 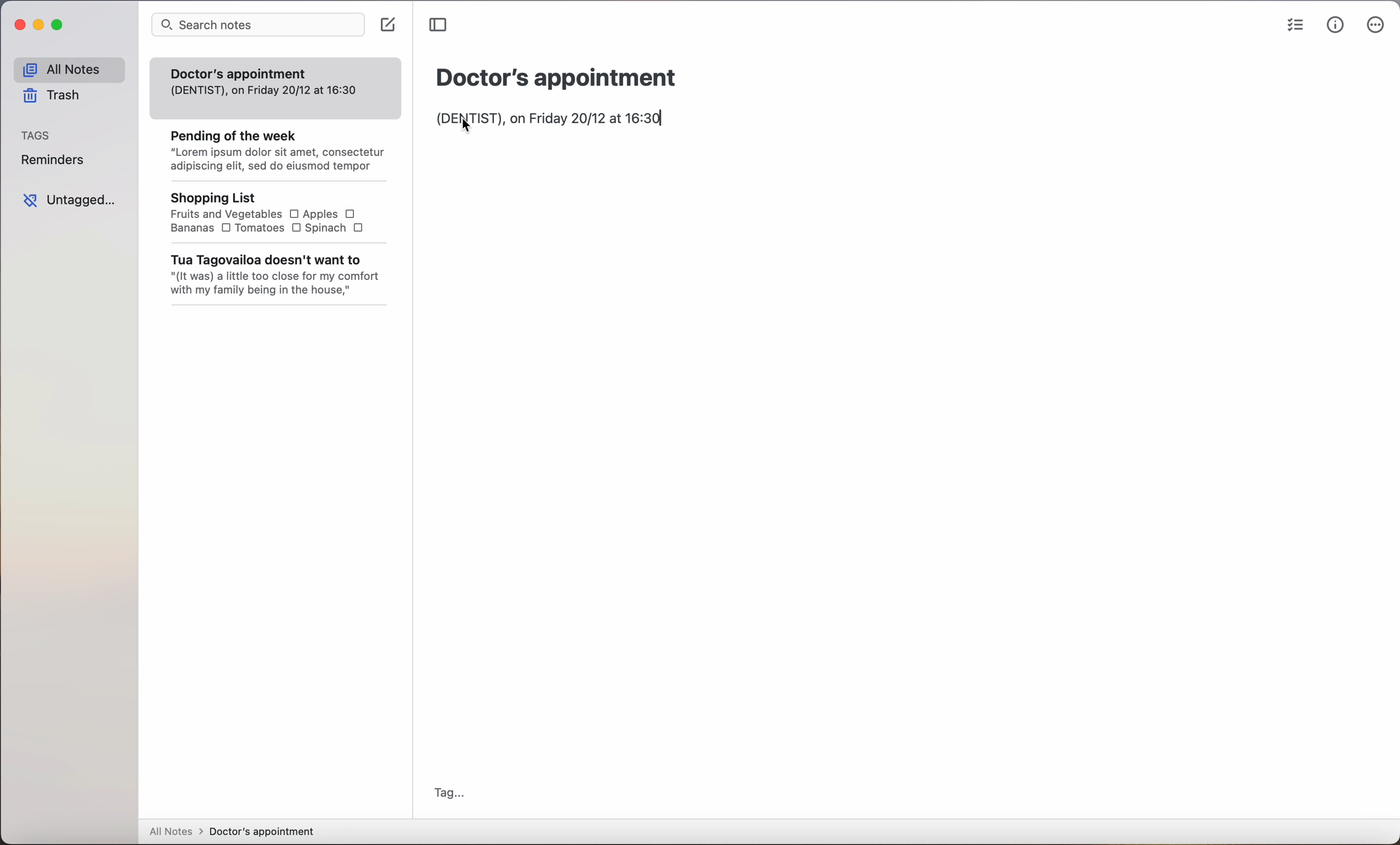 I want to click on Pending of the week
“Lorem ipsum dolor sit amet, consectetur
adipiscing elit, sed do eiusmod tempor, so click(x=270, y=147).